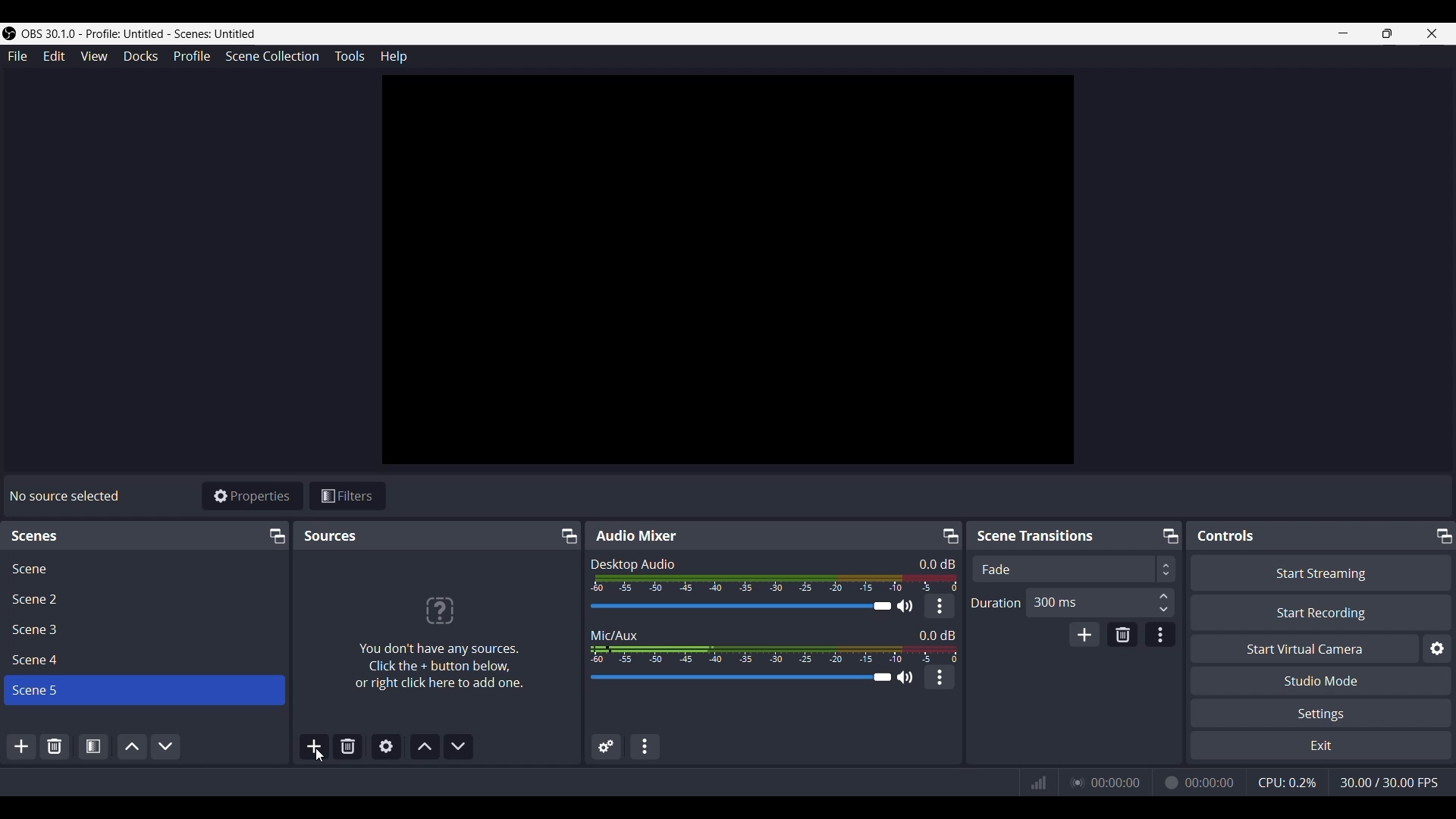  Describe the element at coordinates (645, 746) in the screenshot. I see `Audio Mixer Menu` at that location.